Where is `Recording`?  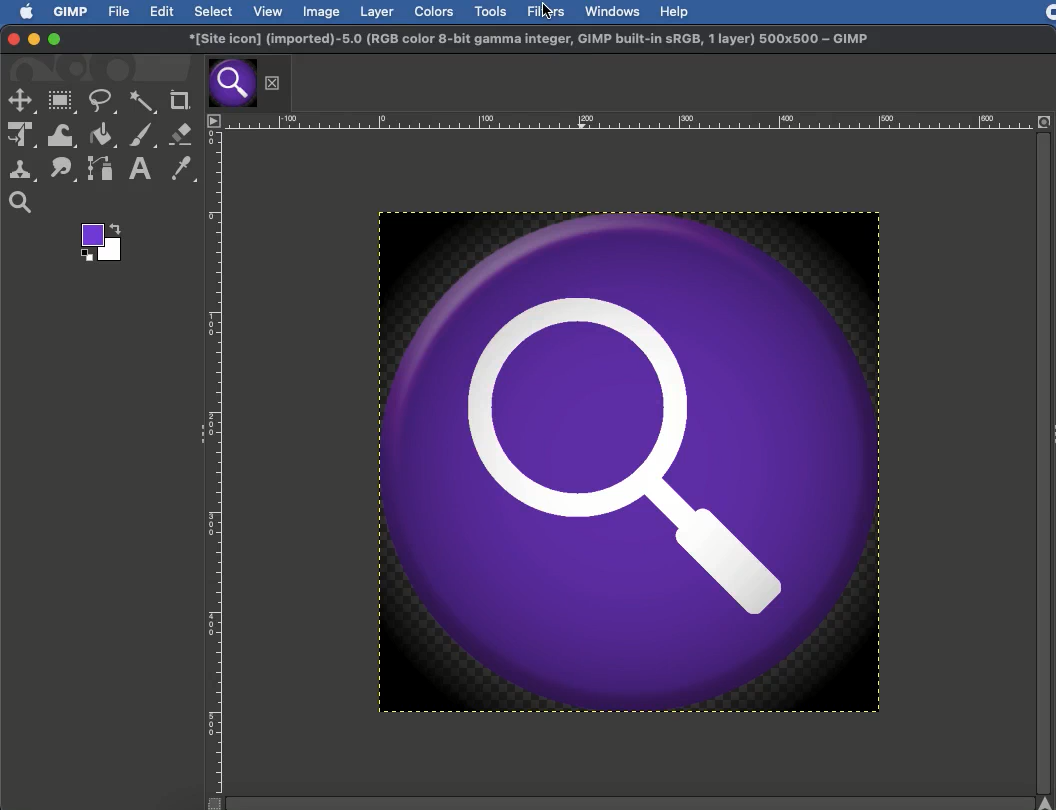
Recording is located at coordinates (1050, 13).